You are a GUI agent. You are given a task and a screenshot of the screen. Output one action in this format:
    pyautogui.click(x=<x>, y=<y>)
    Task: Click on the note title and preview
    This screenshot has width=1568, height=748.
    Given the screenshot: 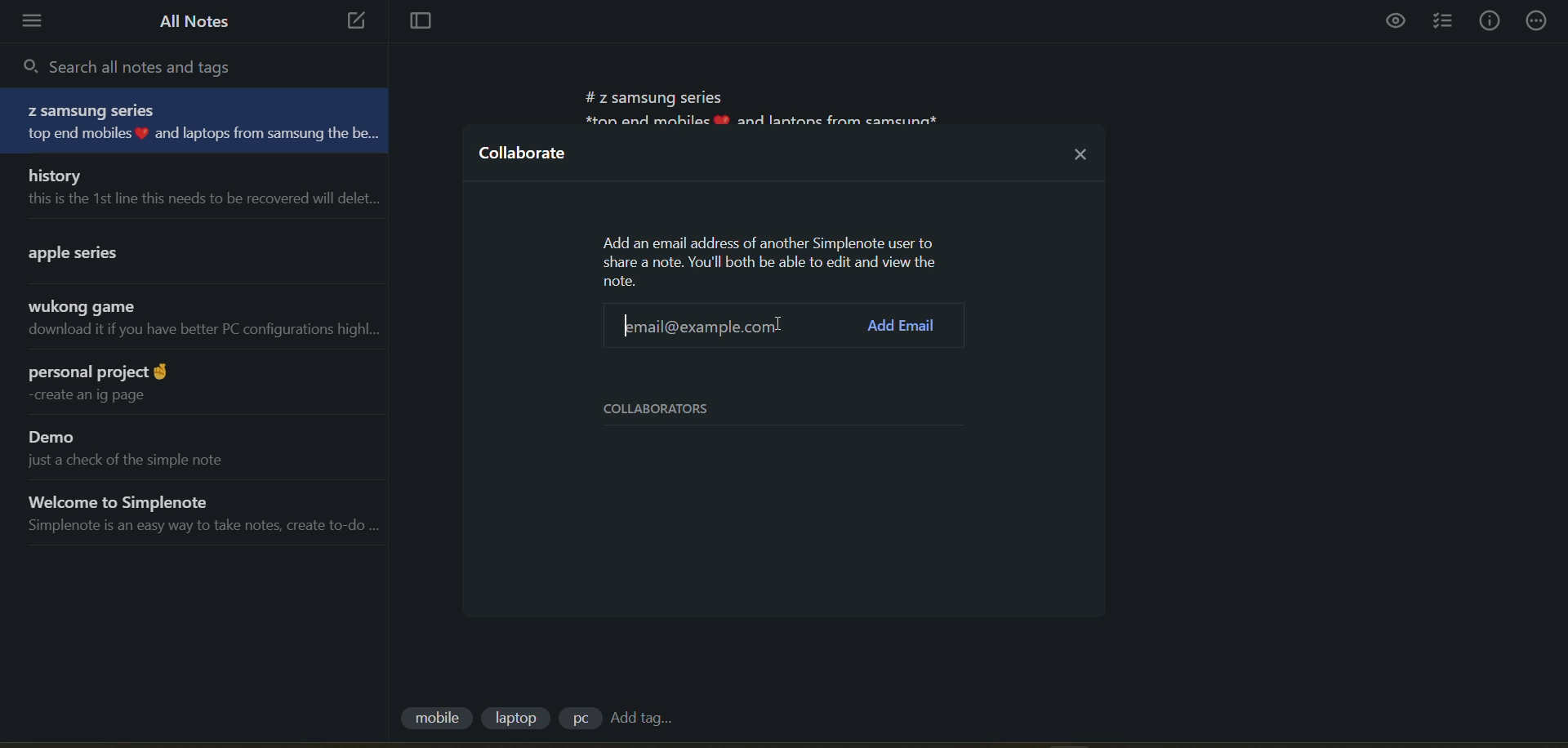 What is the action you would take?
    pyautogui.click(x=192, y=322)
    